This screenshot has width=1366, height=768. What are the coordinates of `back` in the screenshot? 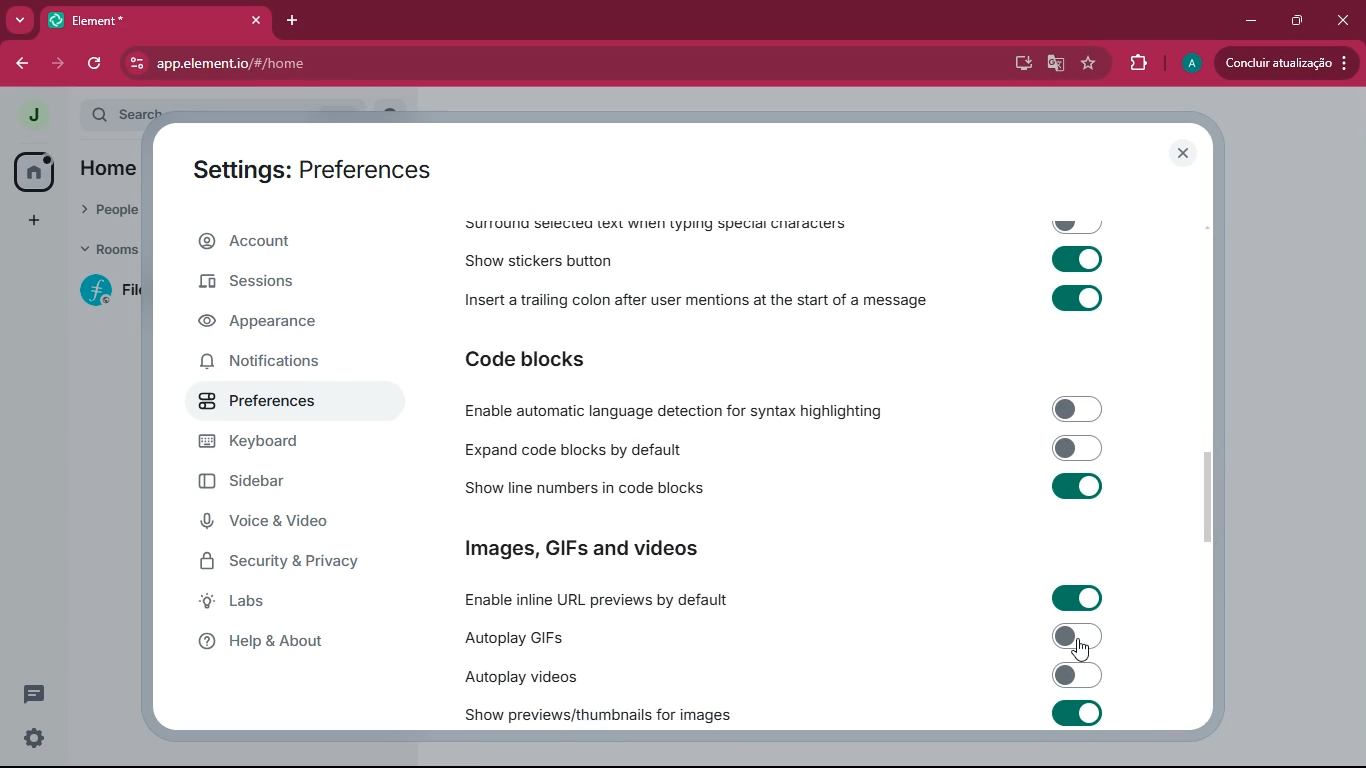 It's located at (21, 65).